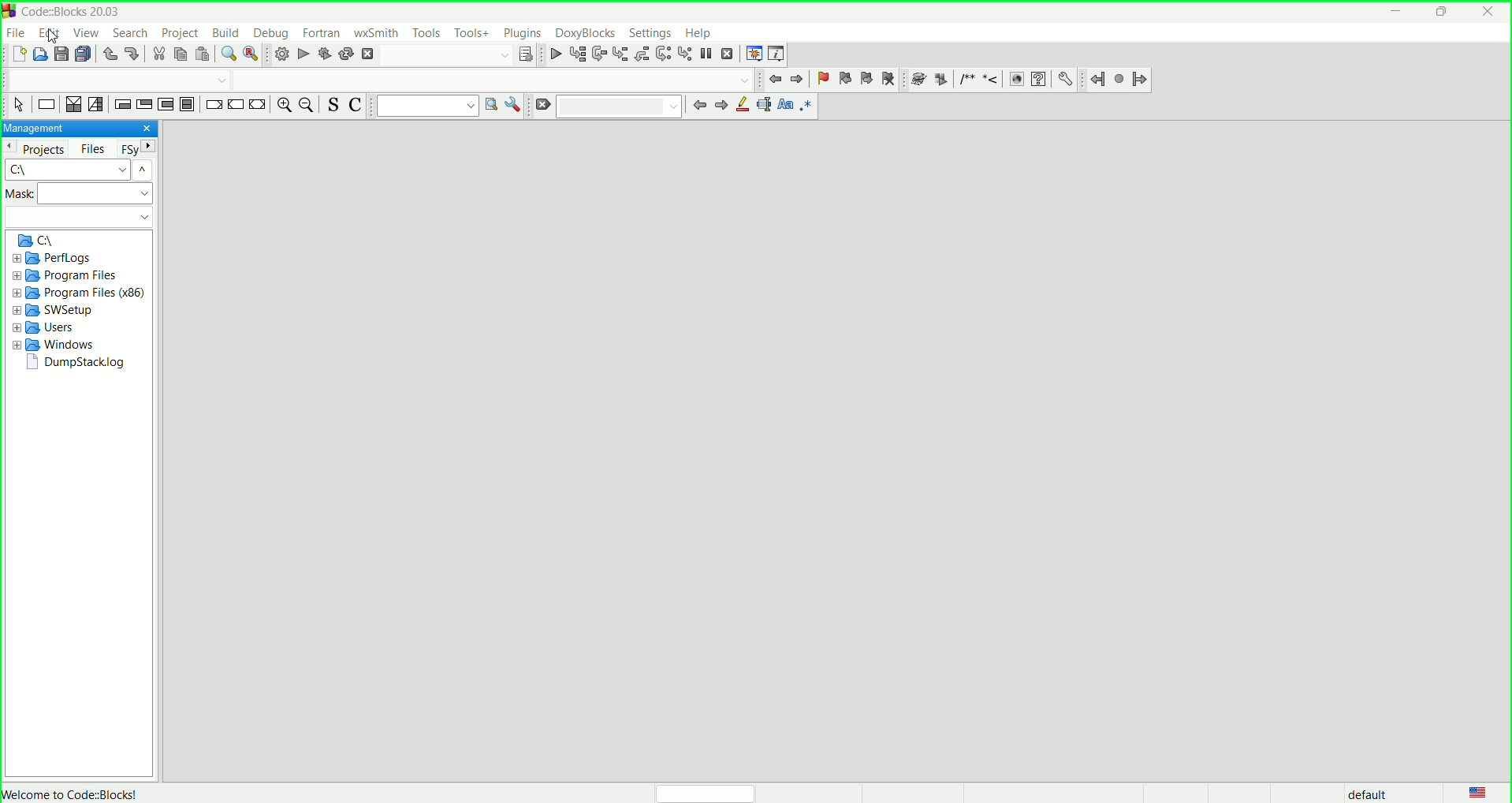 The image size is (1512, 803). I want to click on plugins, so click(520, 32).